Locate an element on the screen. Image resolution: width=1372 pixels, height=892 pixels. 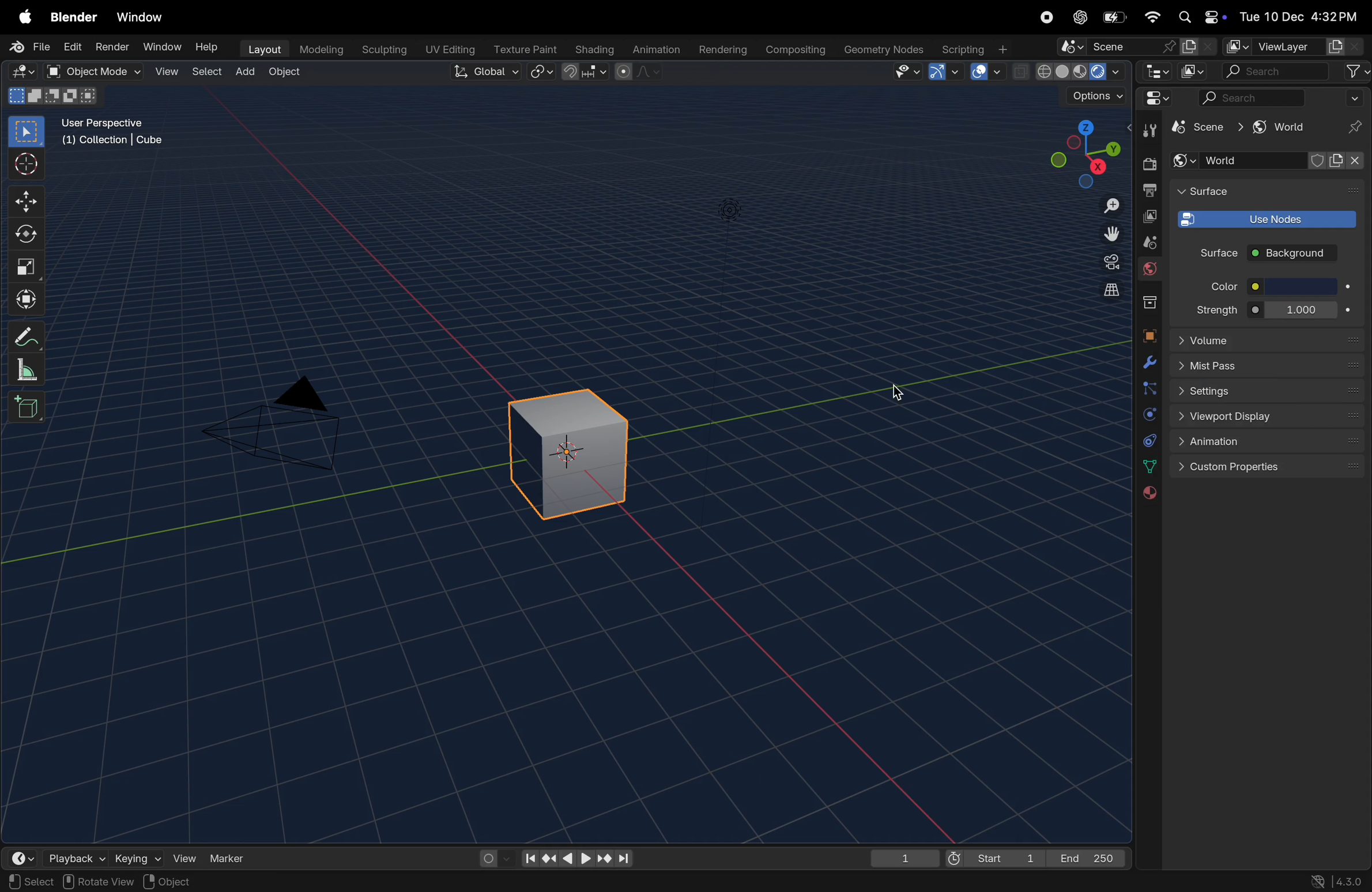
options is located at coordinates (1088, 99).